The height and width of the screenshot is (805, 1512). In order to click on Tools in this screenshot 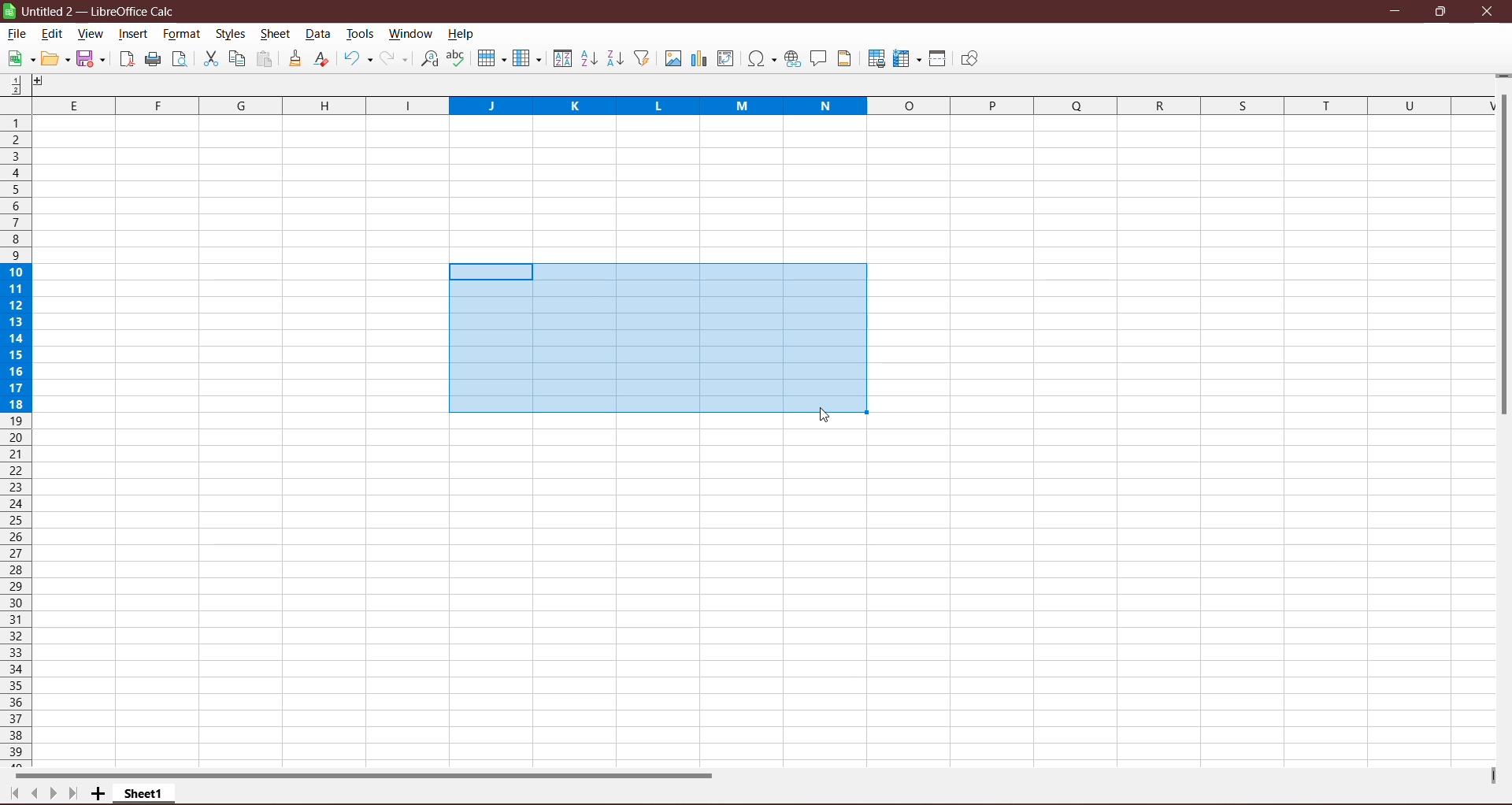, I will do `click(361, 33)`.